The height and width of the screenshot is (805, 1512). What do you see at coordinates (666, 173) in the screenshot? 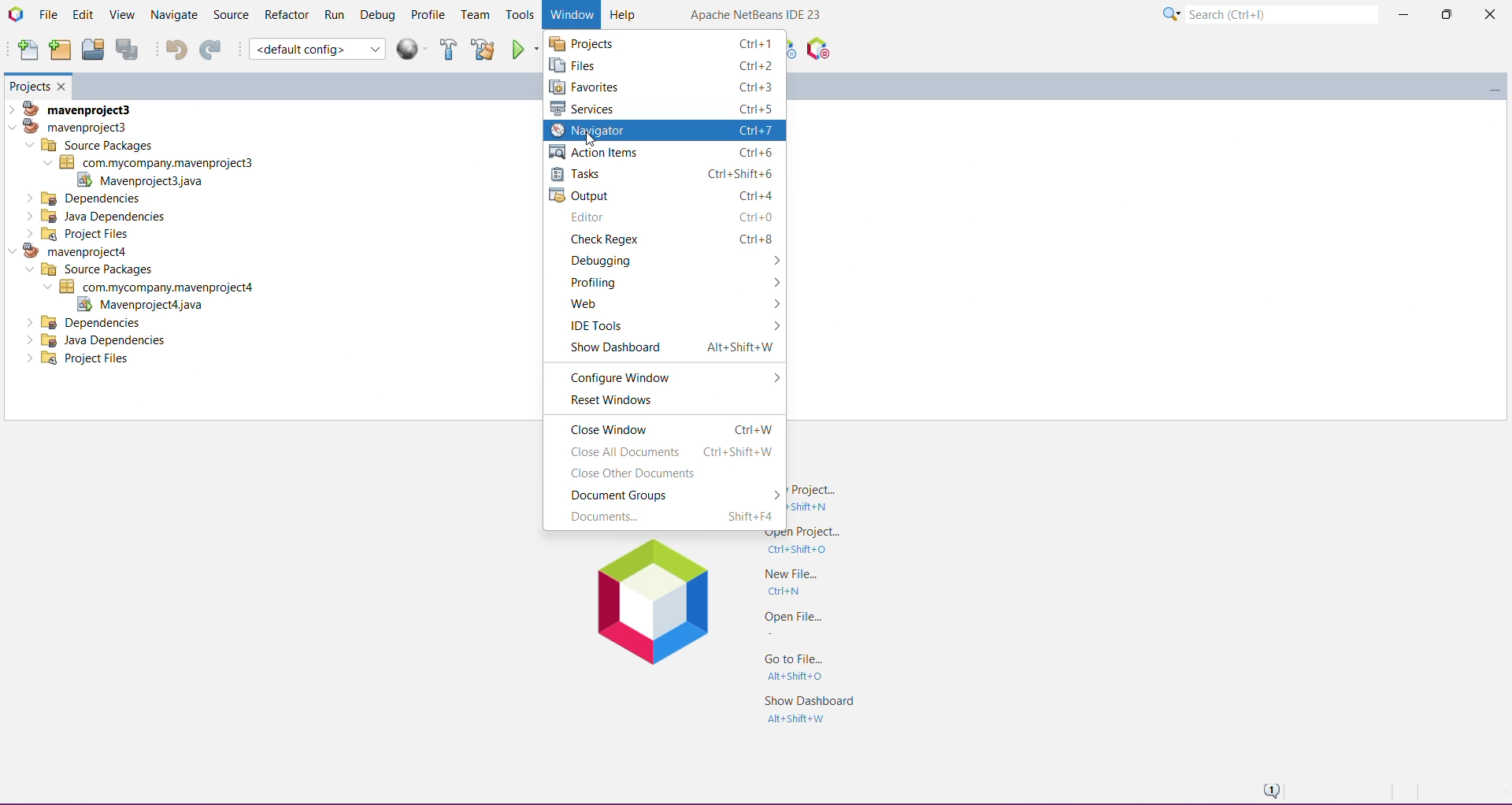
I see `Tasks` at bounding box center [666, 173].